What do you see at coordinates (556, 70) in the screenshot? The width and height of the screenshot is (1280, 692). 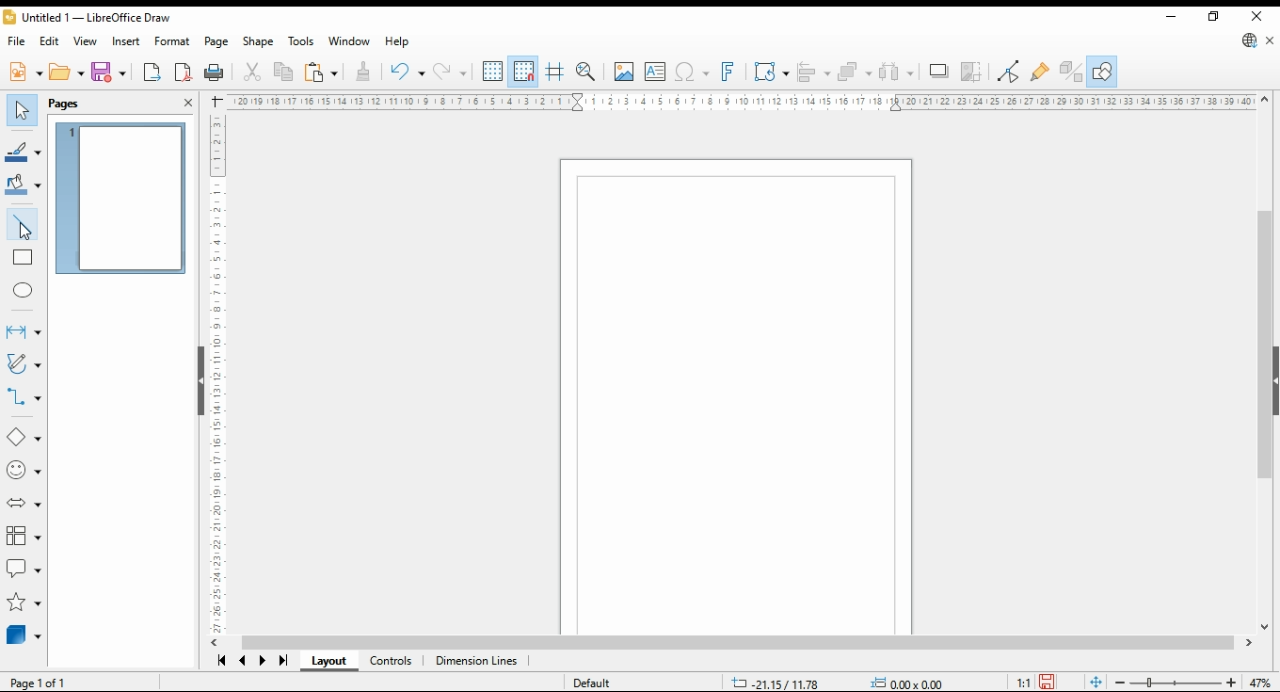 I see `helplines for moving` at bounding box center [556, 70].